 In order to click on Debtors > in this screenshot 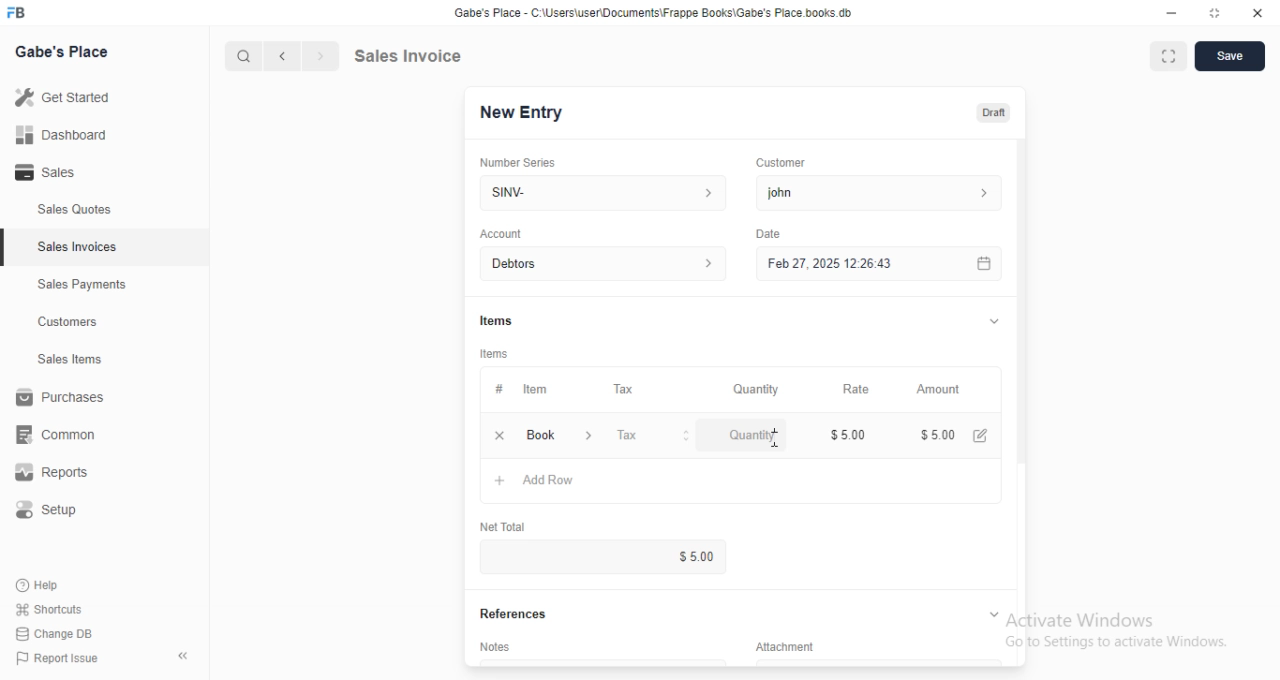, I will do `click(599, 263)`.